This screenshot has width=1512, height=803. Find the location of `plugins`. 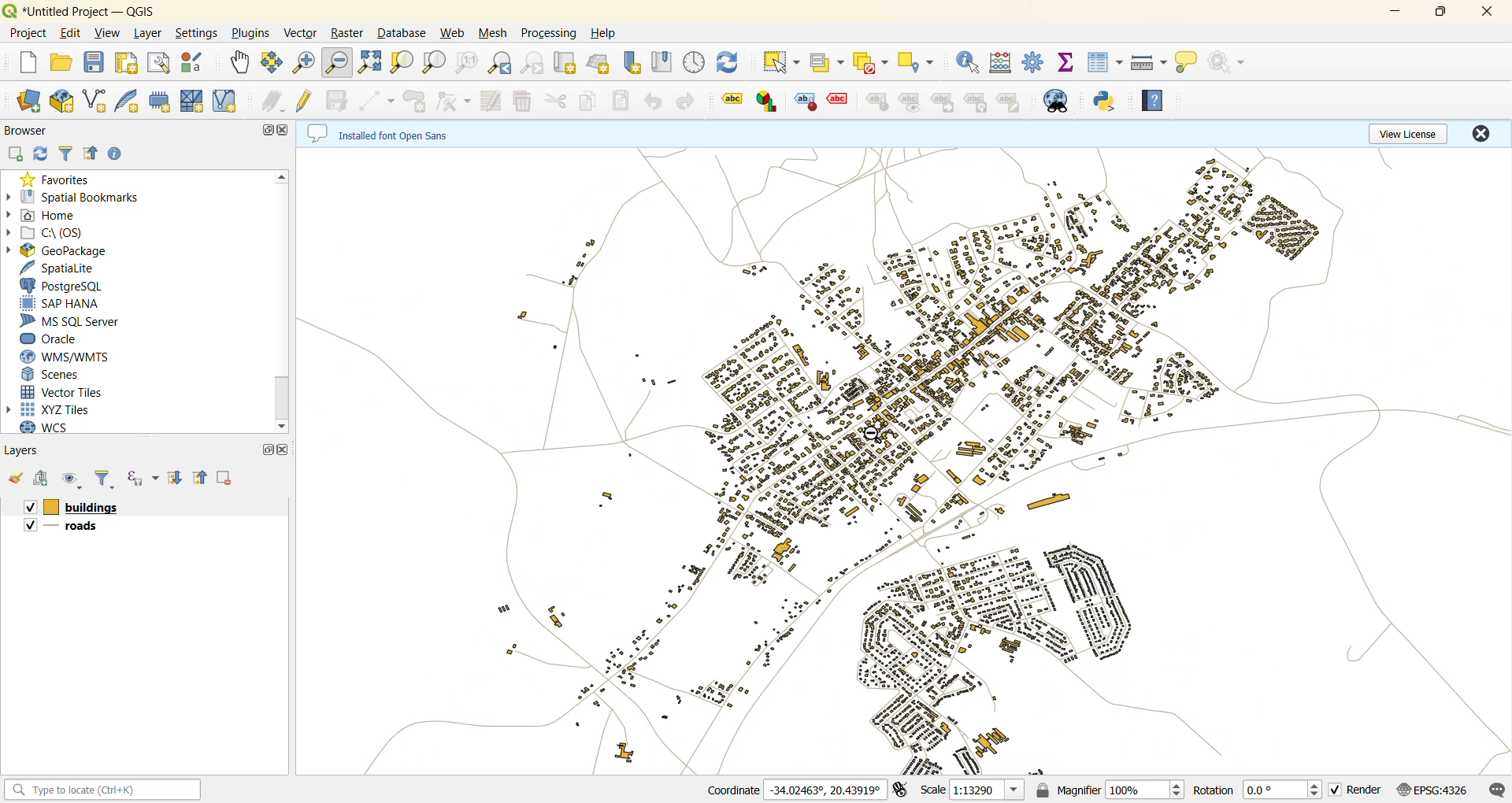

plugins is located at coordinates (254, 35).